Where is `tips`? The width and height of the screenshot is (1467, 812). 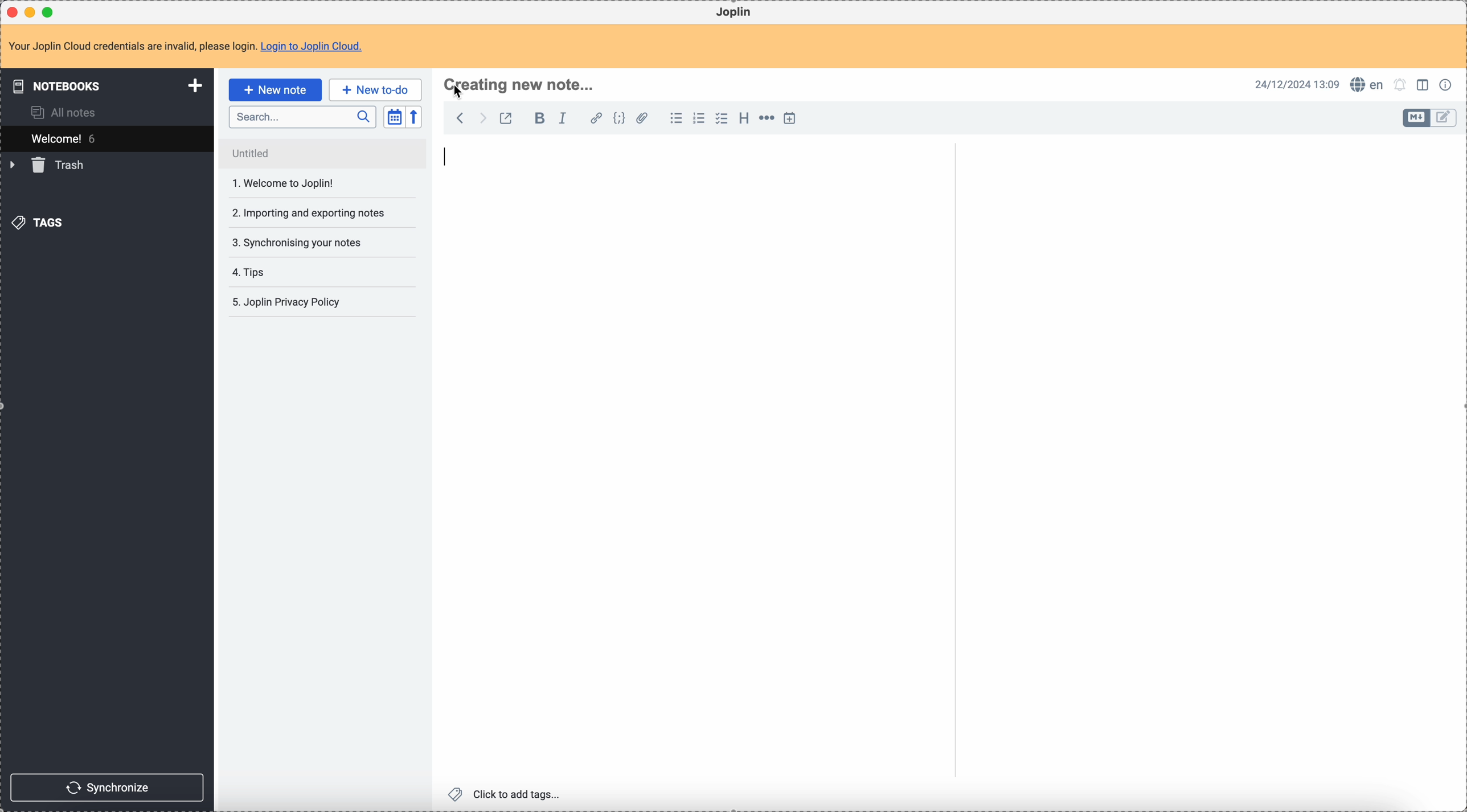 tips is located at coordinates (258, 273).